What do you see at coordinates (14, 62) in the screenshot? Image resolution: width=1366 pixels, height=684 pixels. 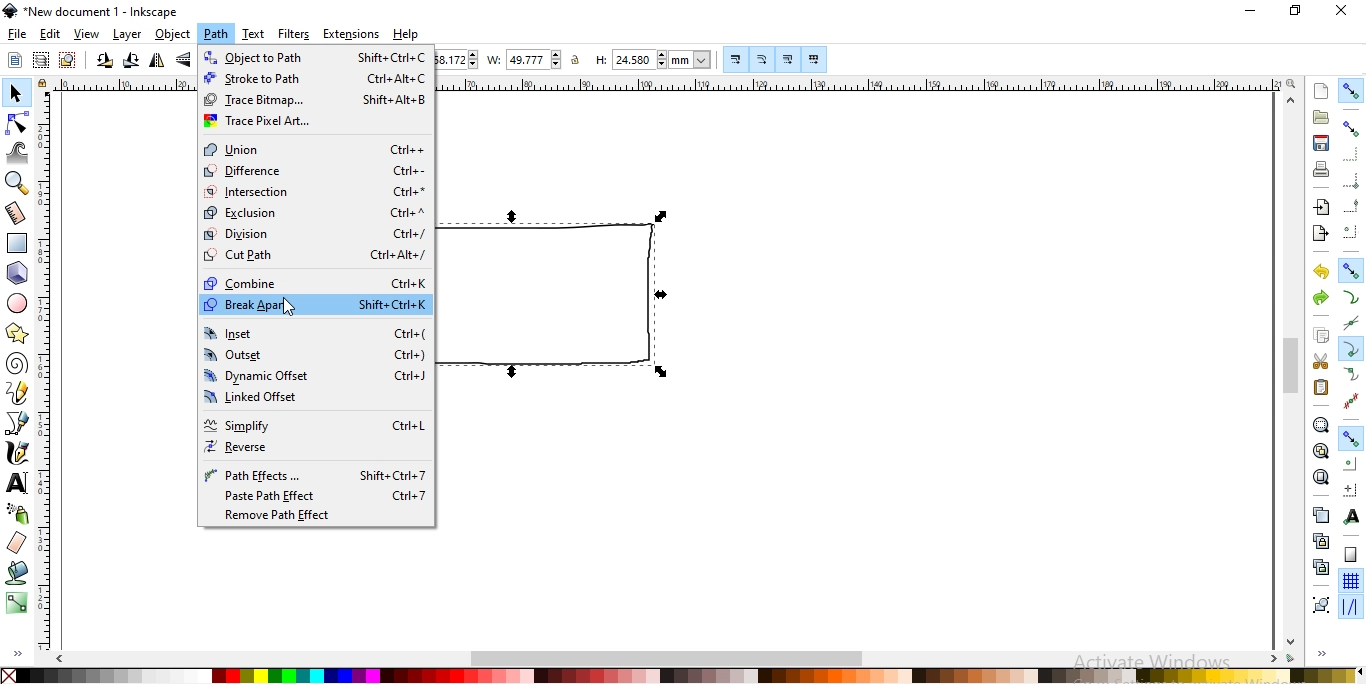 I see `select all objects or all nodes` at bounding box center [14, 62].